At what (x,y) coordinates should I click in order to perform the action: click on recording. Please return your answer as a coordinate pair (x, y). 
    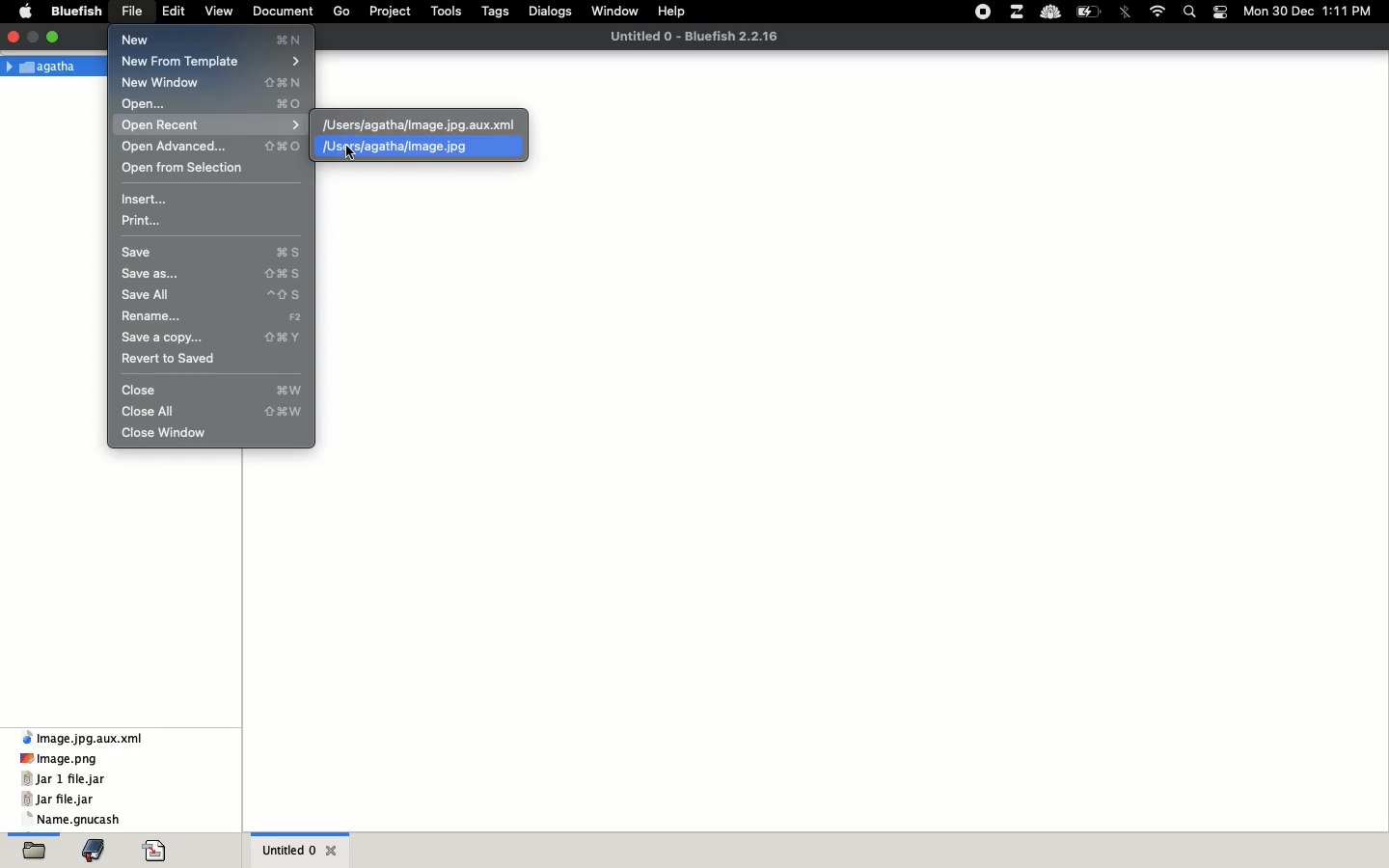
    Looking at the image, I should click on (984, 14).